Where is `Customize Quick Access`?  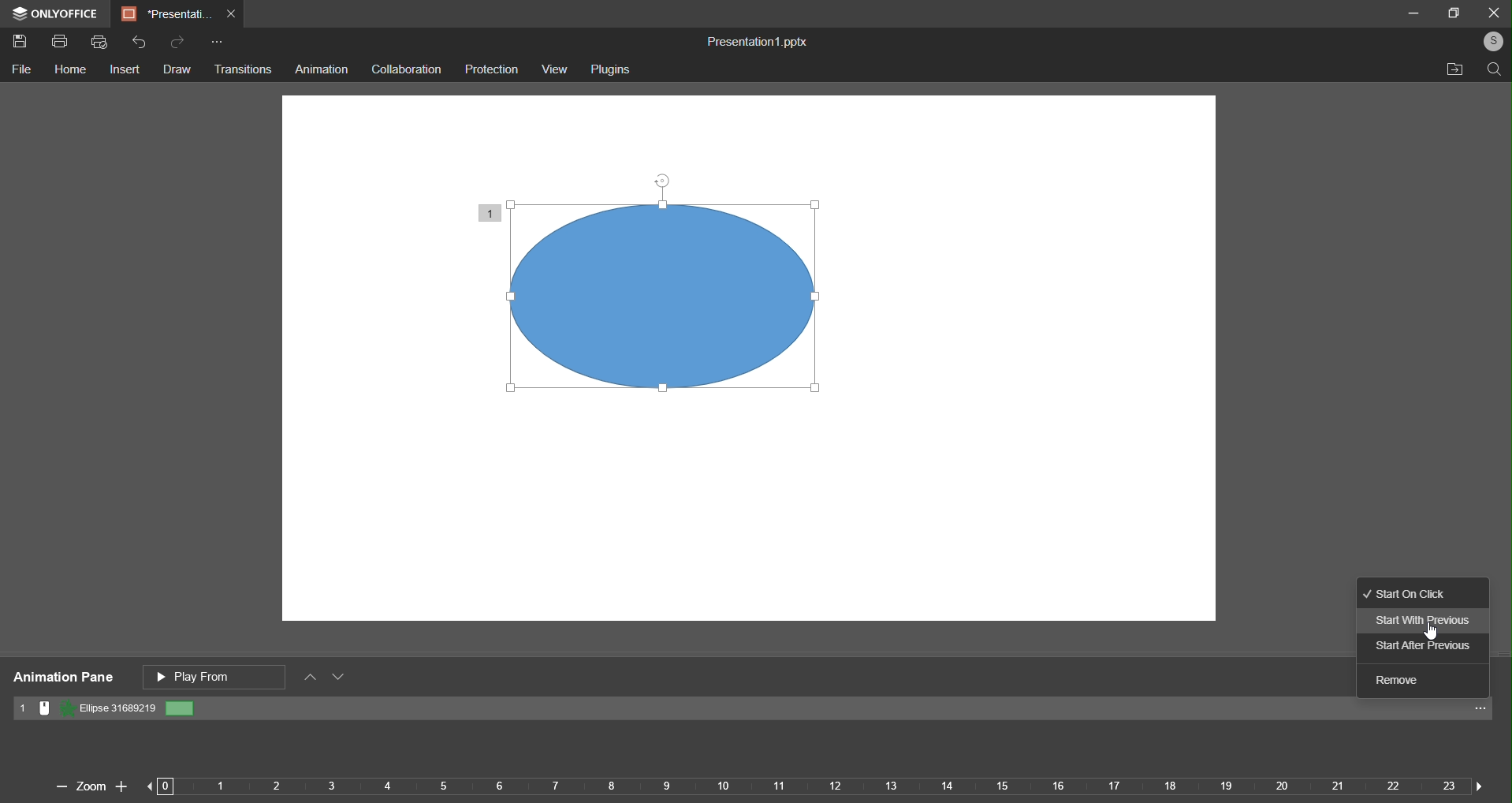 Customize Quick Access is located at coordinates (217, 43).